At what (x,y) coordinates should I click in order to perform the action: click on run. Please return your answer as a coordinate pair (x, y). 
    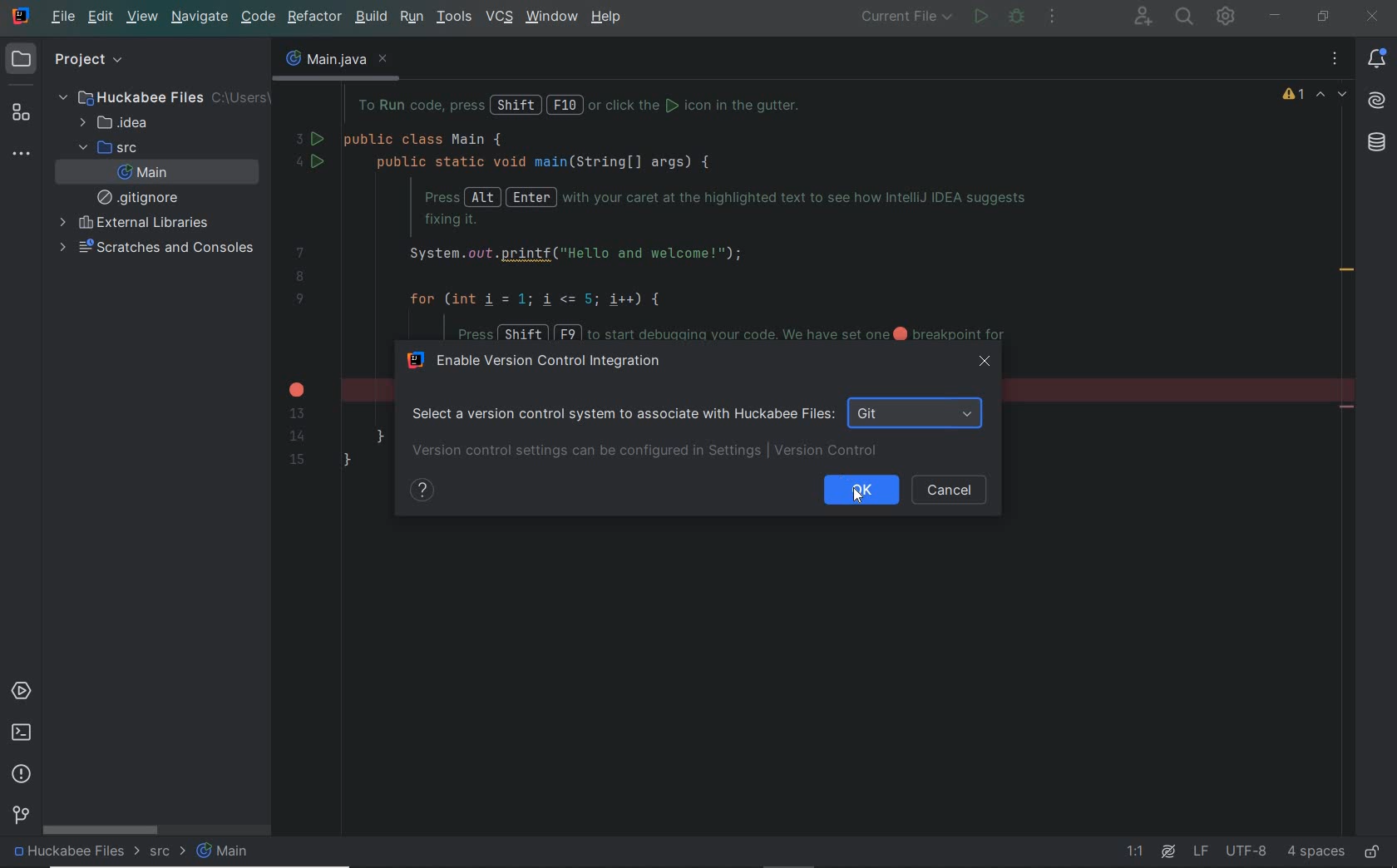
    Looking at the image, I should click on (411, 18).